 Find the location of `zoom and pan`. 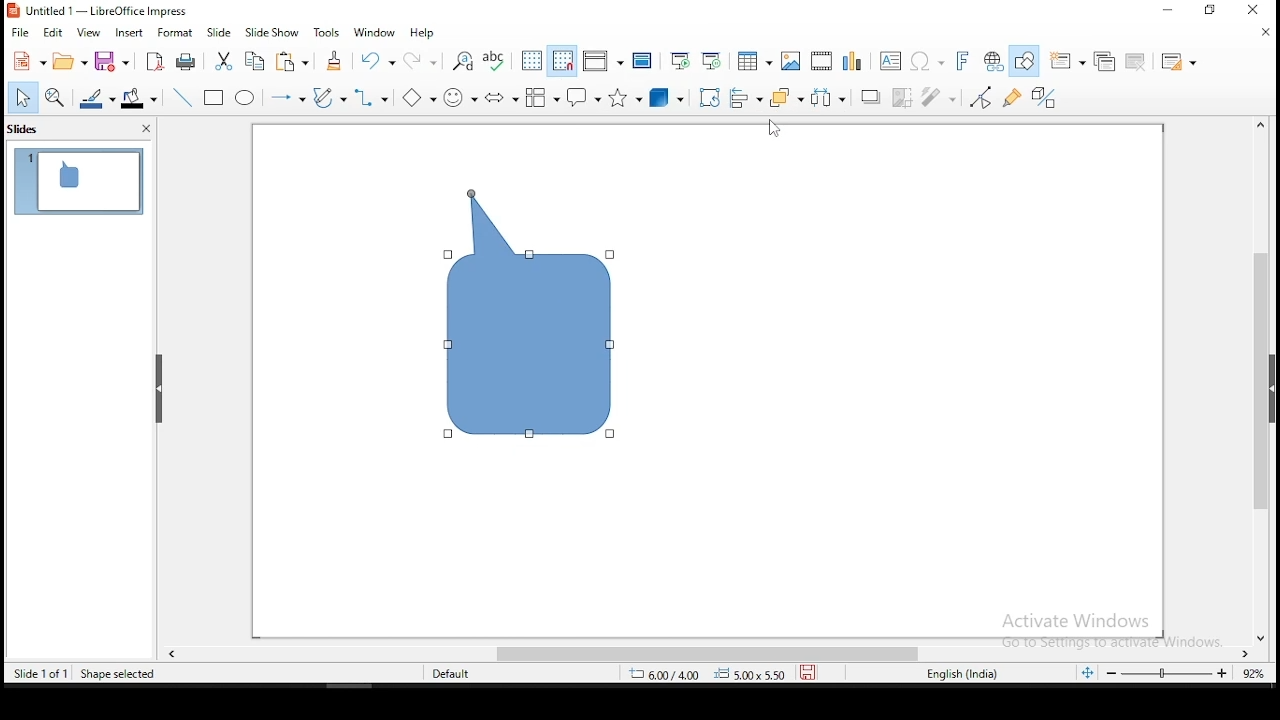

zoom and pan is located at coordinates (56, 99).